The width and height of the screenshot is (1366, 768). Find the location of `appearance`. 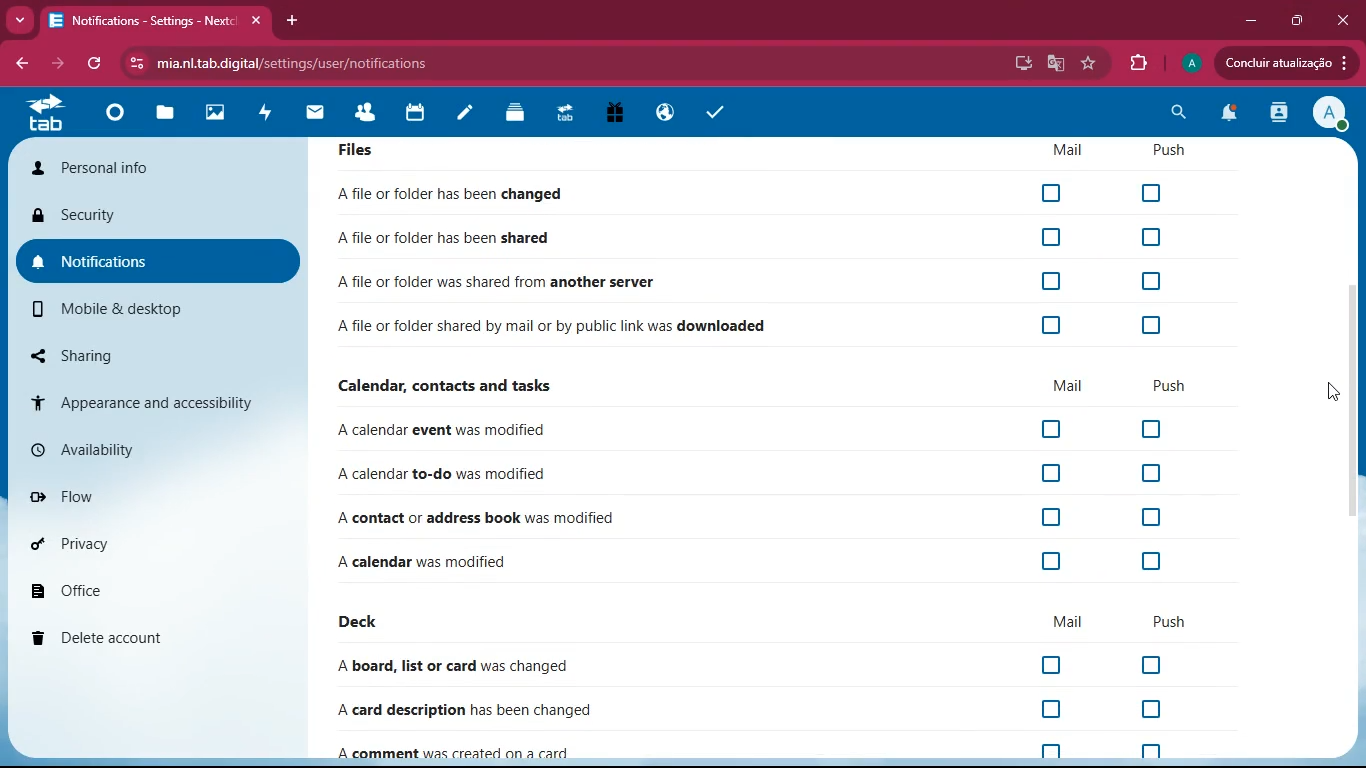

appearance is located at coordinates (140, 400).